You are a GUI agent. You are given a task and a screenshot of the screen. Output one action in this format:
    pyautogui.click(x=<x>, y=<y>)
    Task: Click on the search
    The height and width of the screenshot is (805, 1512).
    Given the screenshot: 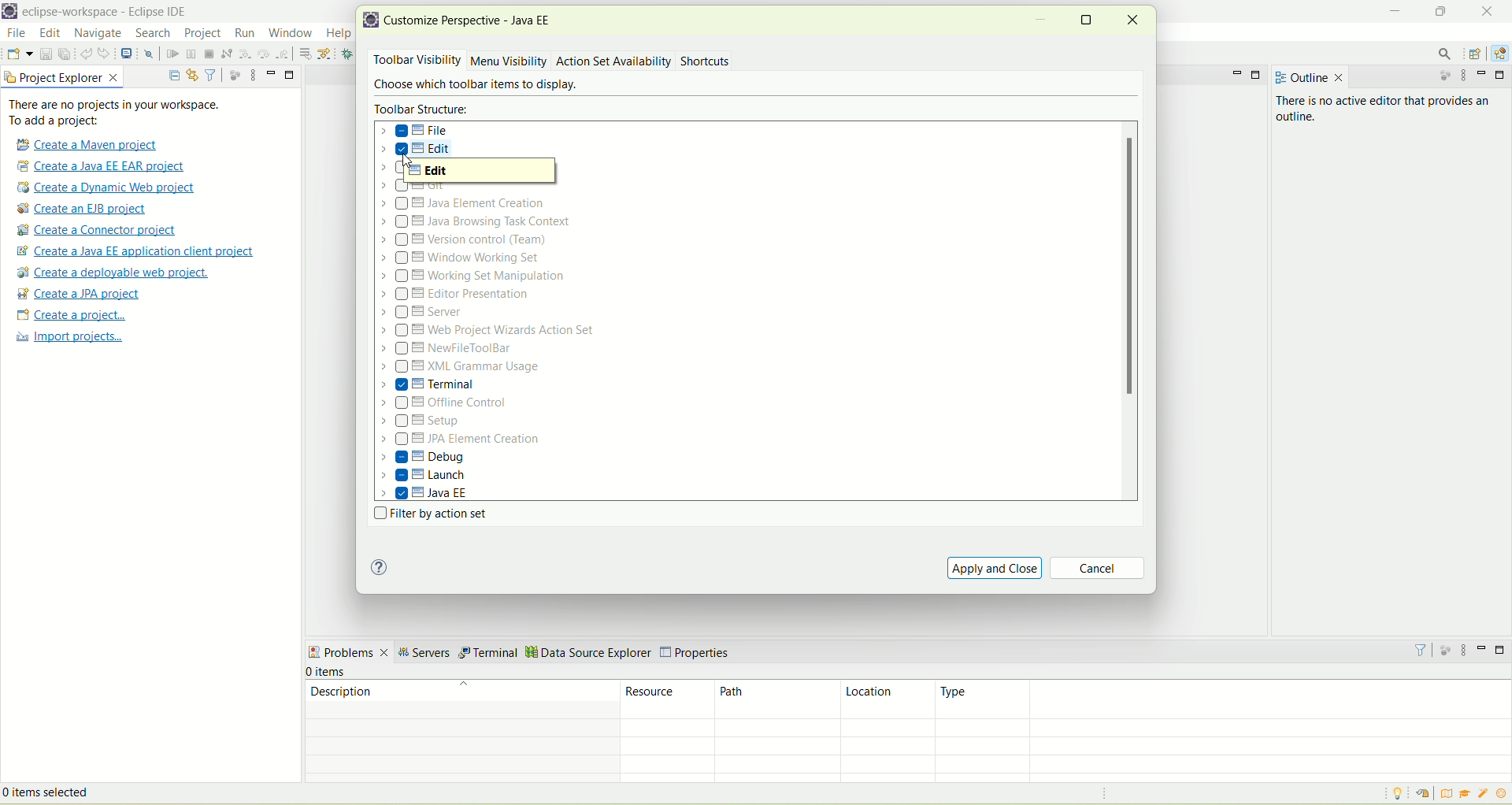 What is the action you would take?
    pyautogui.click(x=1447, y=54)
    